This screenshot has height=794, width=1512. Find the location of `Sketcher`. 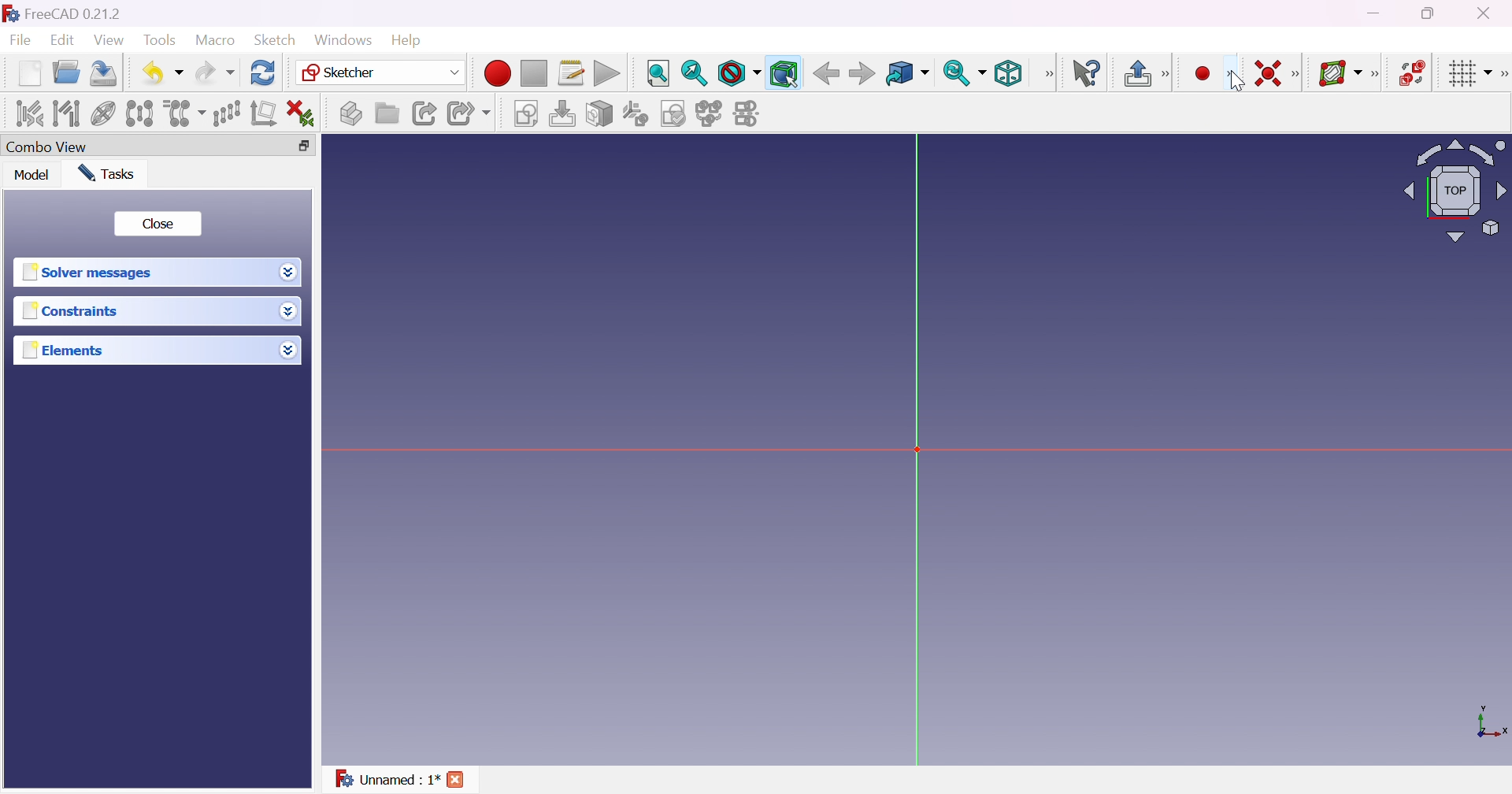

Sketcher is located at coordinates (383, 71).